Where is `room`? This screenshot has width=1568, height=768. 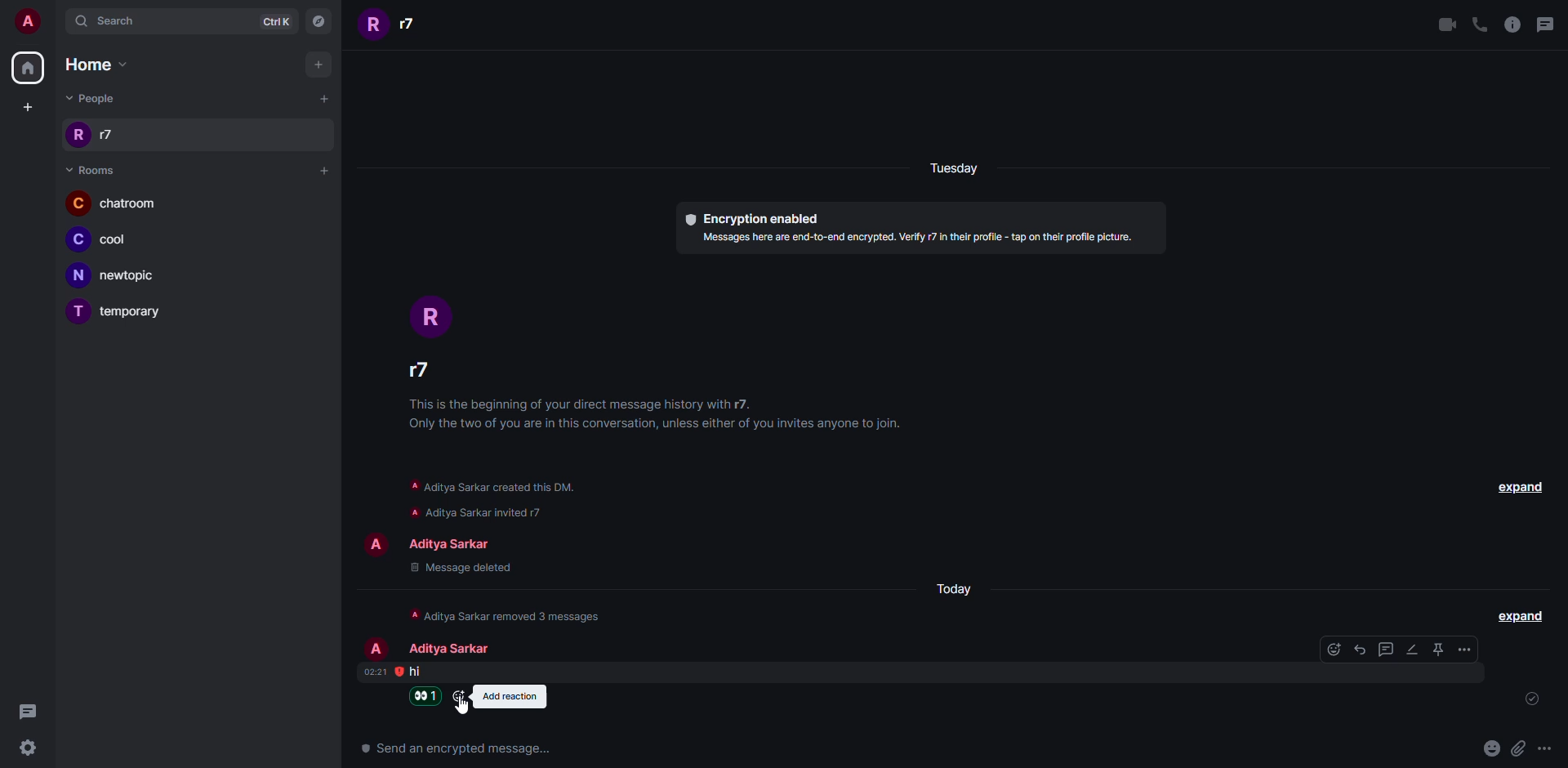 room is located at coordinates (114, 203).